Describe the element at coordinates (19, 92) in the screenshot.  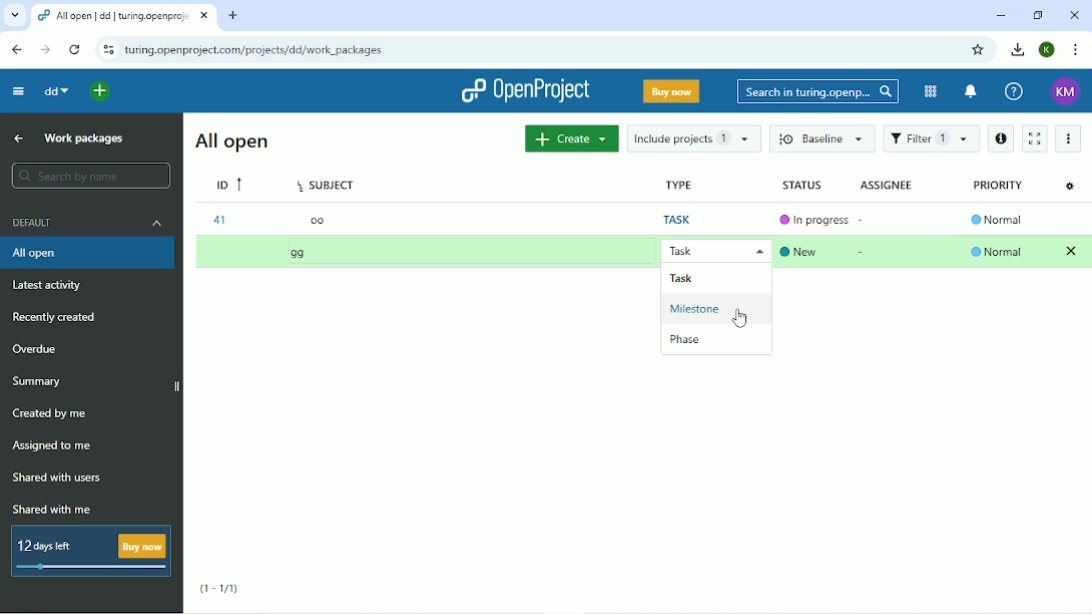
I see `Collapse project menu` at that location.